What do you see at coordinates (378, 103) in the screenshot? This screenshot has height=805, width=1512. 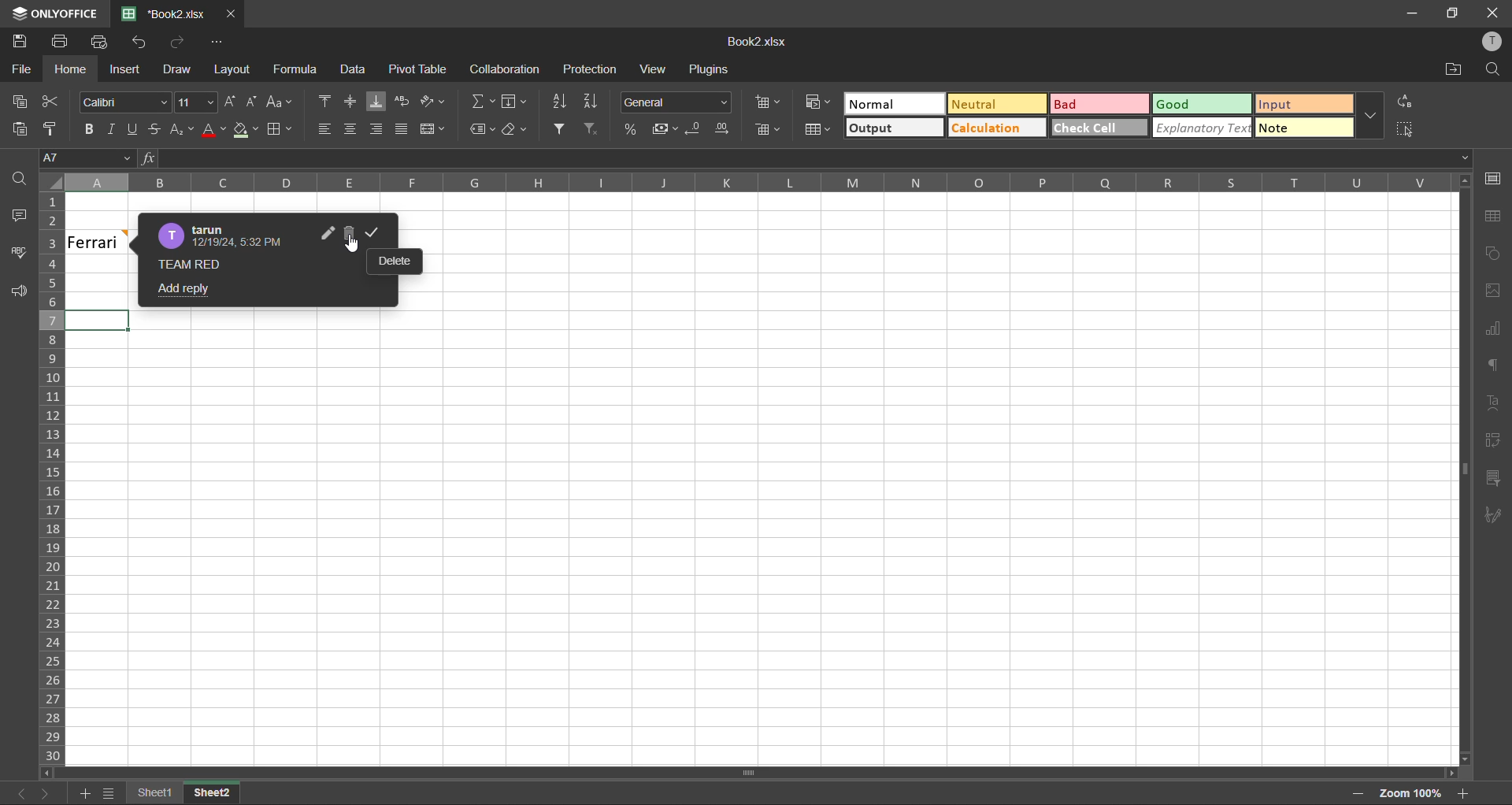 I see `align bottom` at bounding box center [378, 103].